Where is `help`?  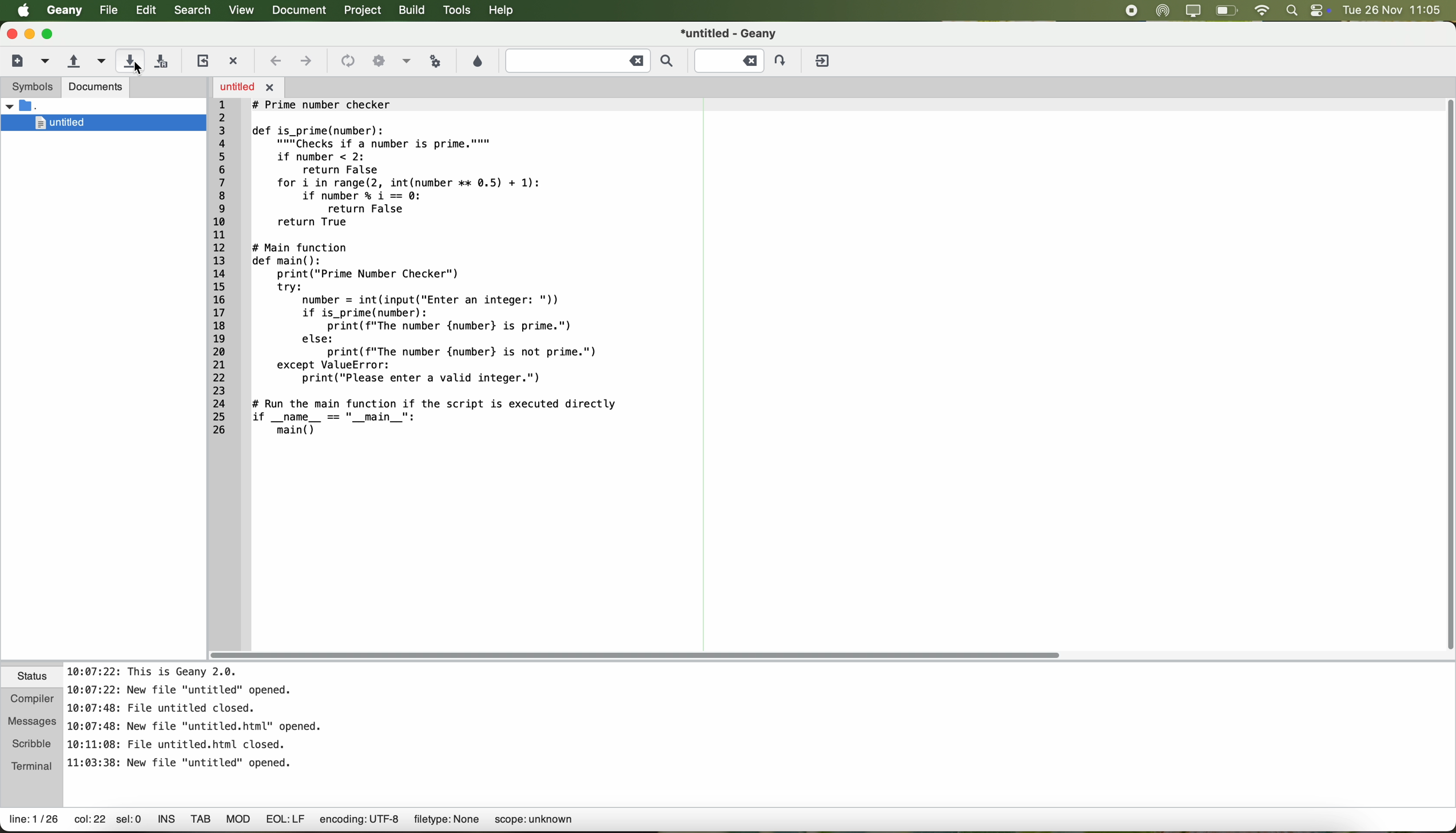
help is located at coordinates (506, 12).